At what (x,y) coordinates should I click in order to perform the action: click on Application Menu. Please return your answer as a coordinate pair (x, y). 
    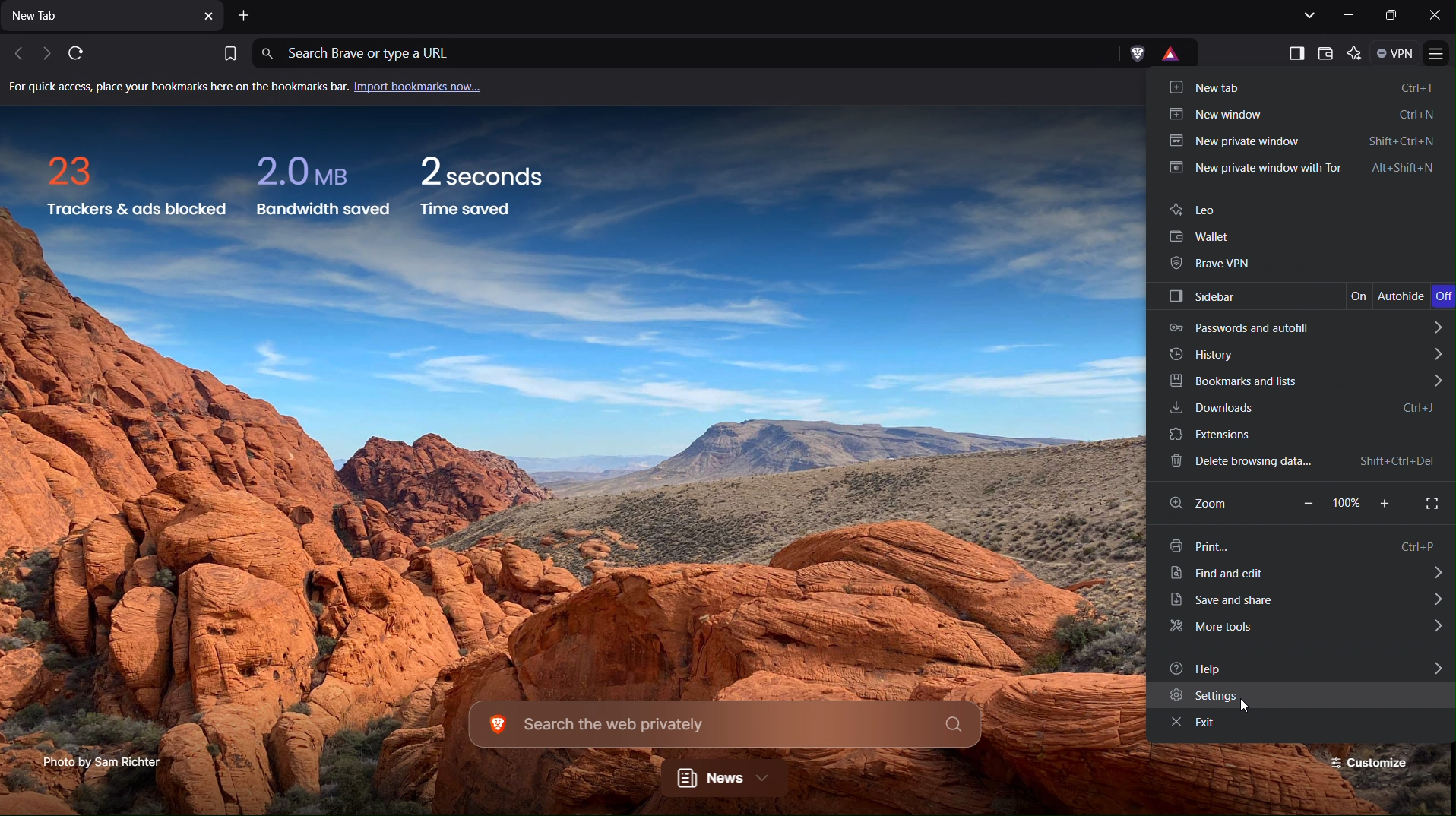
    Looking at the image, I should click on (1438, 55).